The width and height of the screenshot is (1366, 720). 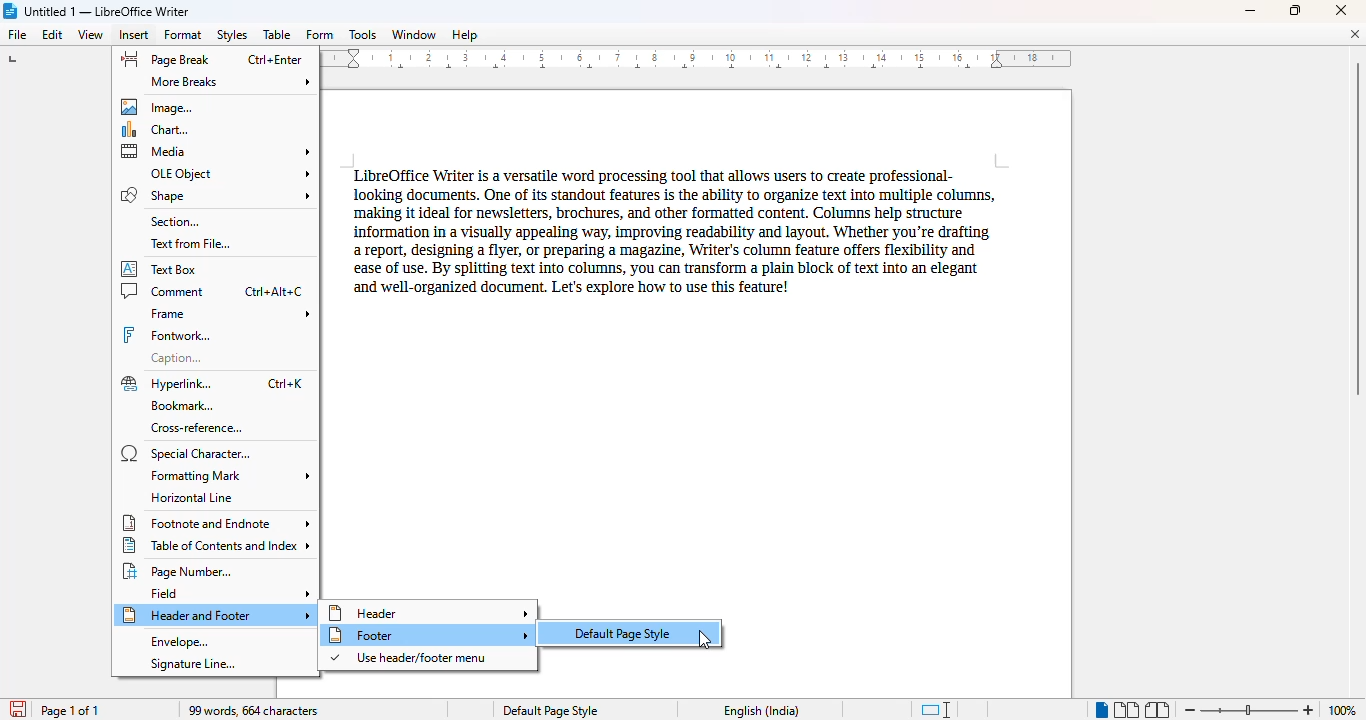 I want to click on click to save document, so click(x=15, y=709).